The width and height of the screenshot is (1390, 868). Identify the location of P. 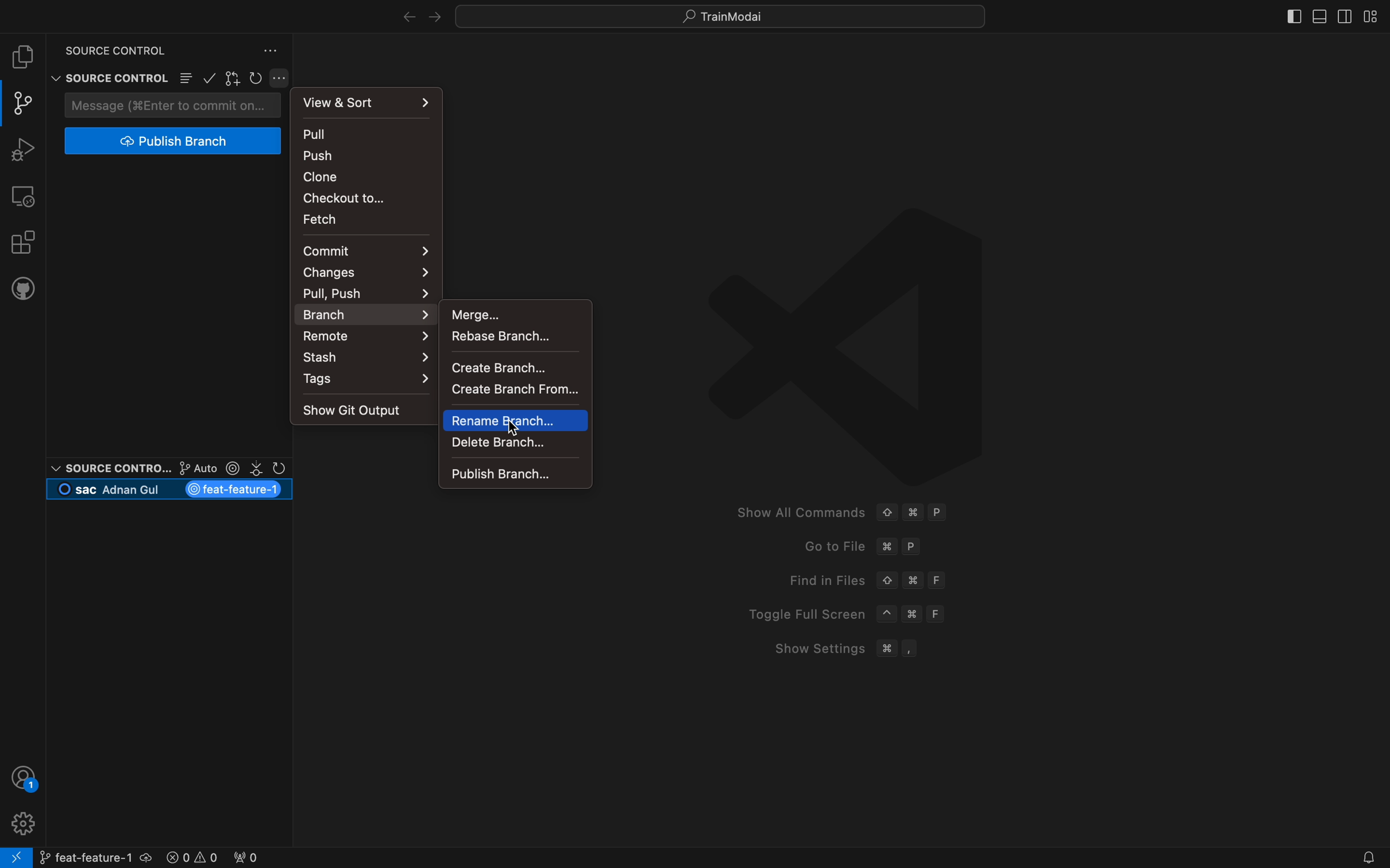
(914, 548).